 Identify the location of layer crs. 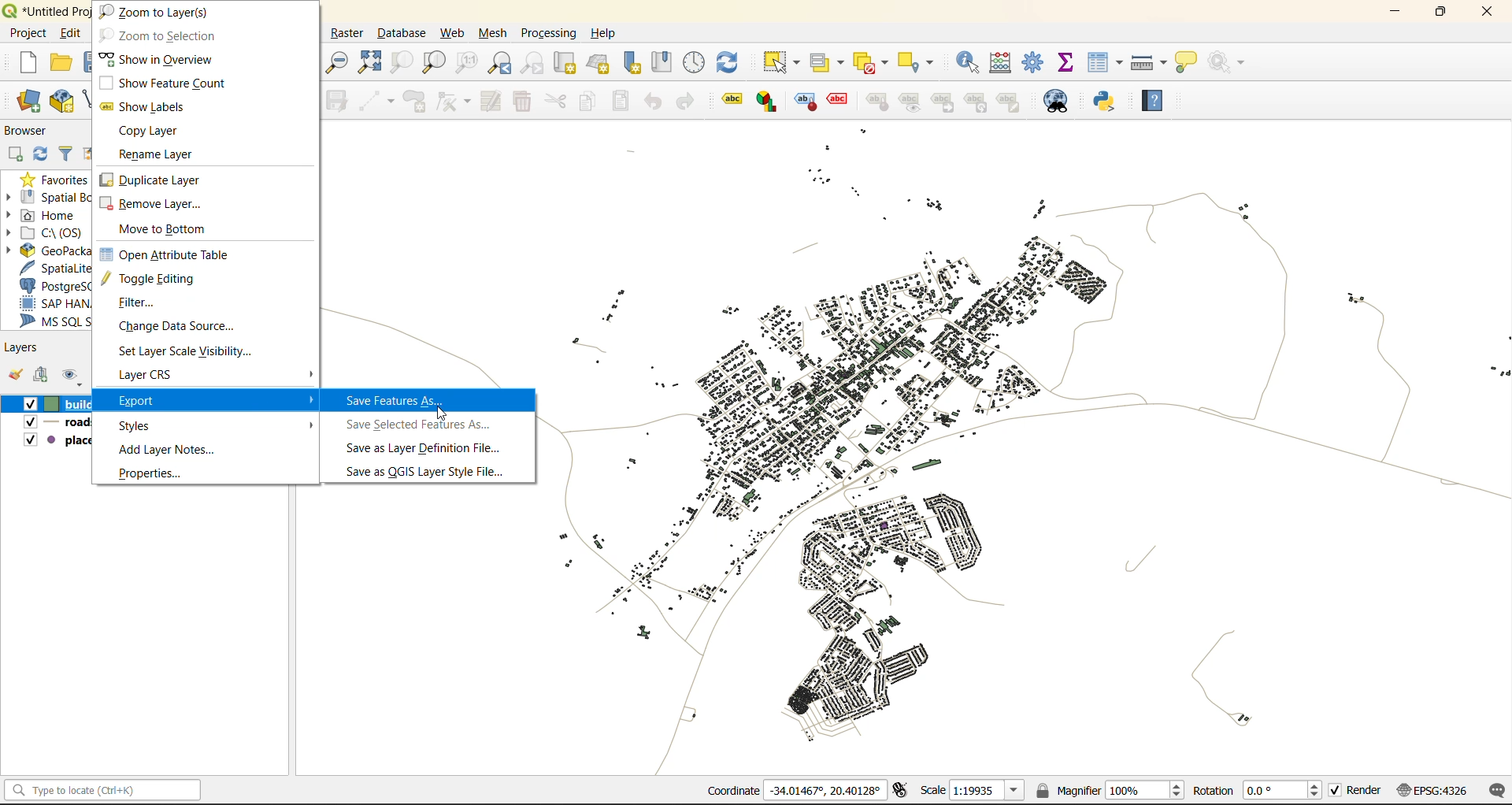
(157, 375).